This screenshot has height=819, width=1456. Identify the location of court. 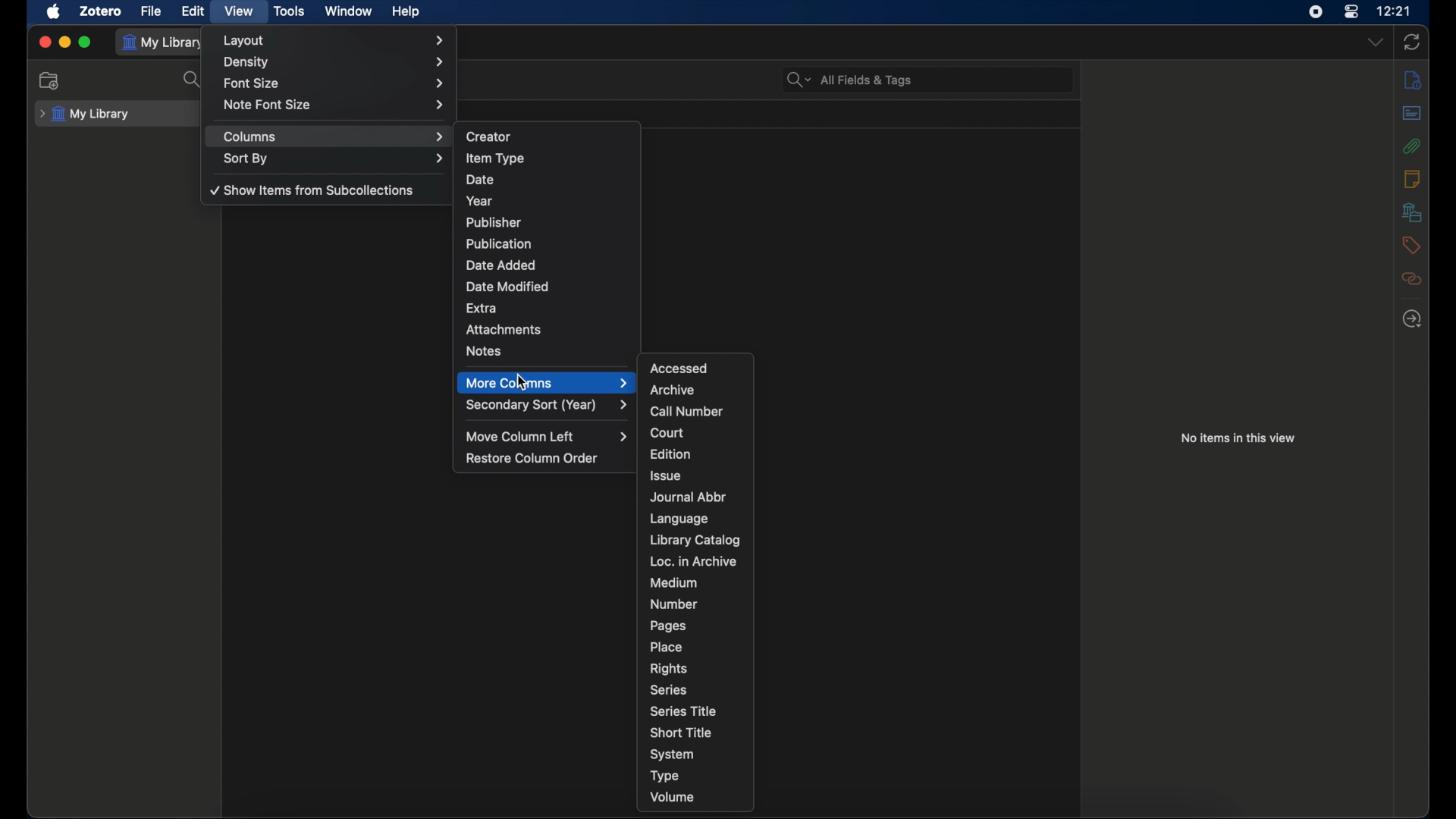
(668, 433).